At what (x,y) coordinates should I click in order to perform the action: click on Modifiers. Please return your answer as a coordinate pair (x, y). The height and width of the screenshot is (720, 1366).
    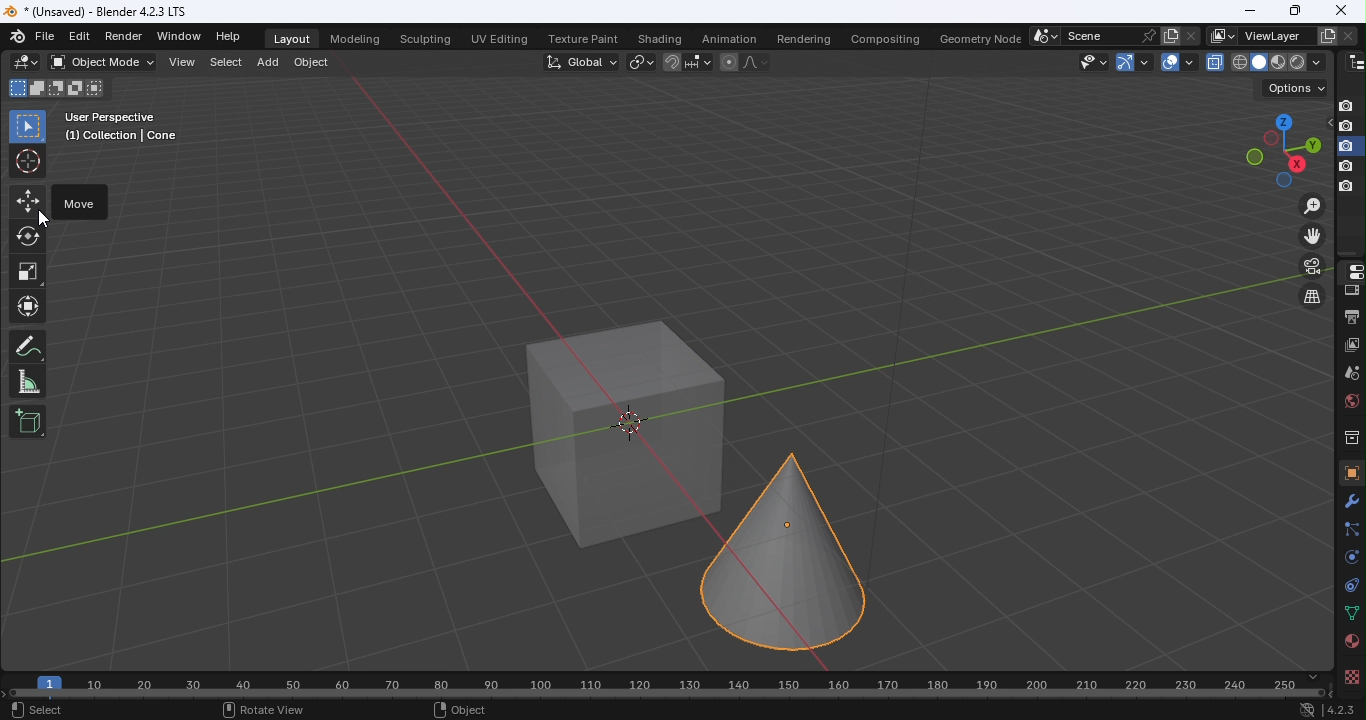
    Looking at the image, I should click on (1352, 500).